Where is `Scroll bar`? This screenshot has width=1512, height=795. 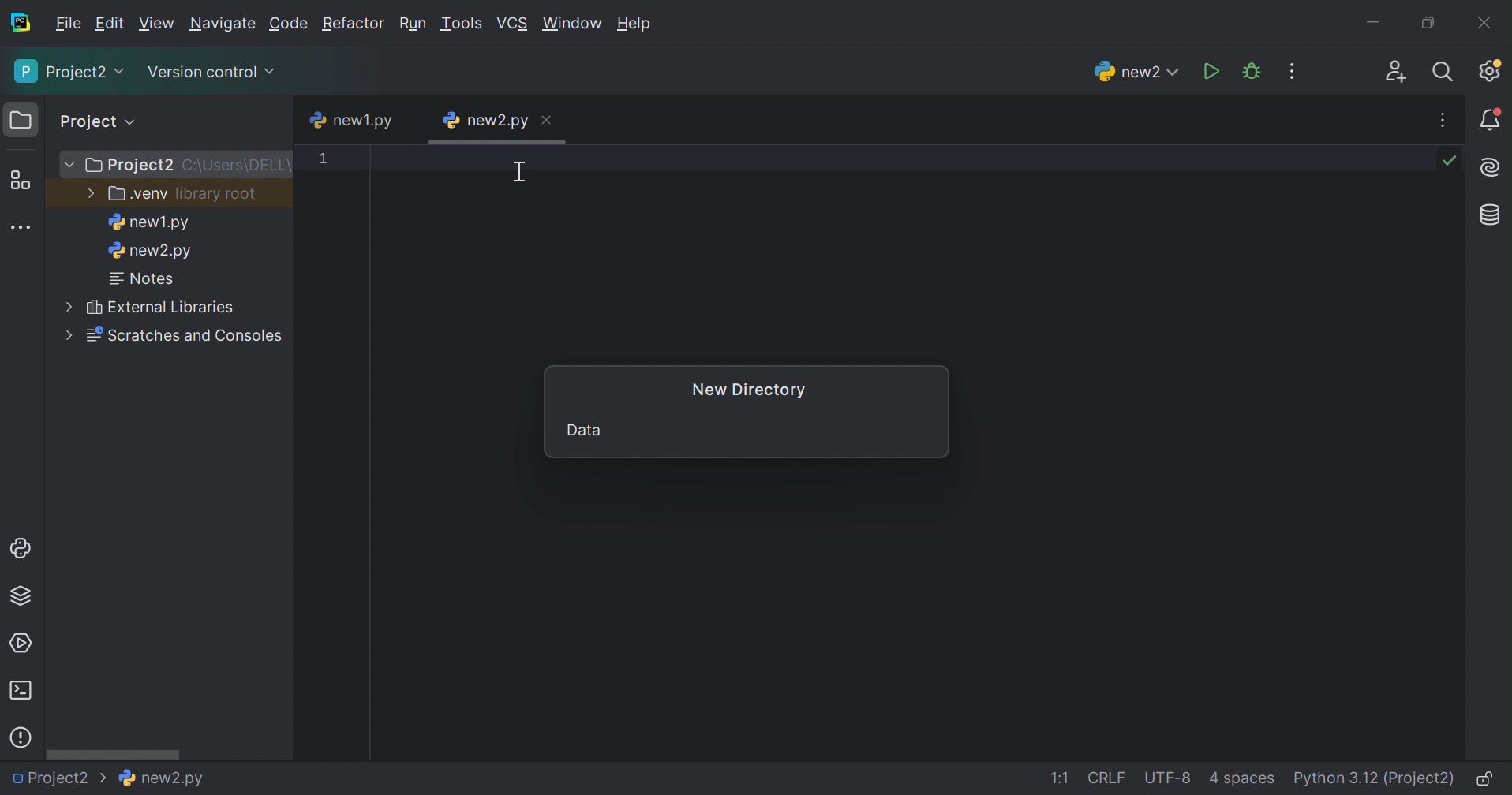
Scroll bar is located at coordinates (115, 753).